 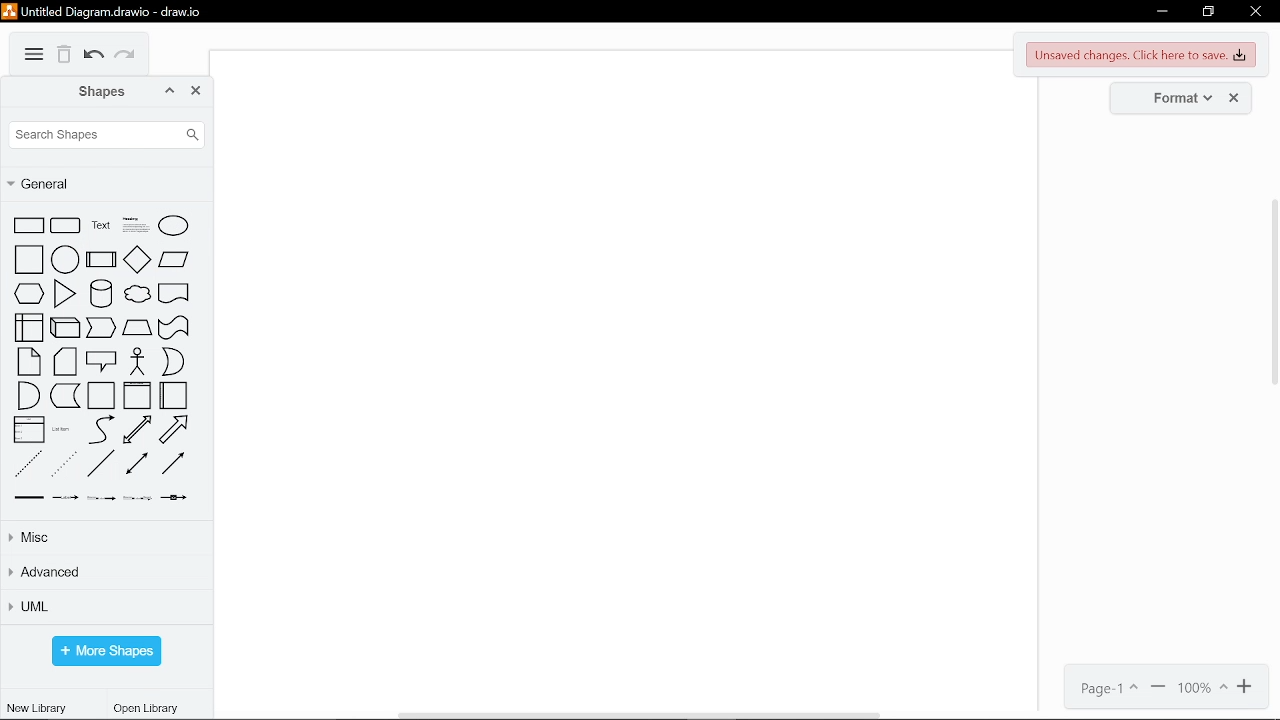 I want to click on general, so click(x=103, y=183).